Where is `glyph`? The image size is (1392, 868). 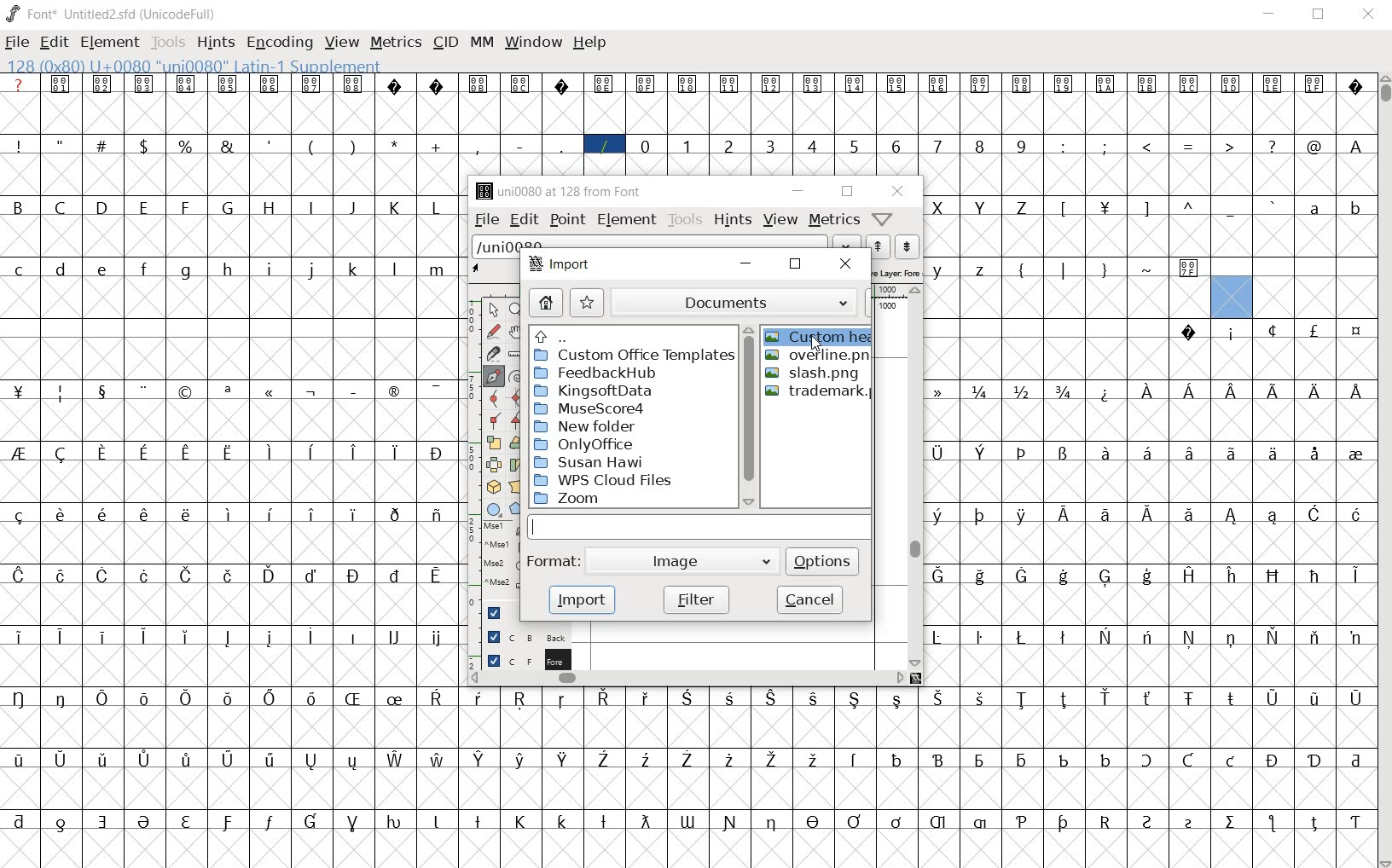
glyph is located at coordinates (478, 698).